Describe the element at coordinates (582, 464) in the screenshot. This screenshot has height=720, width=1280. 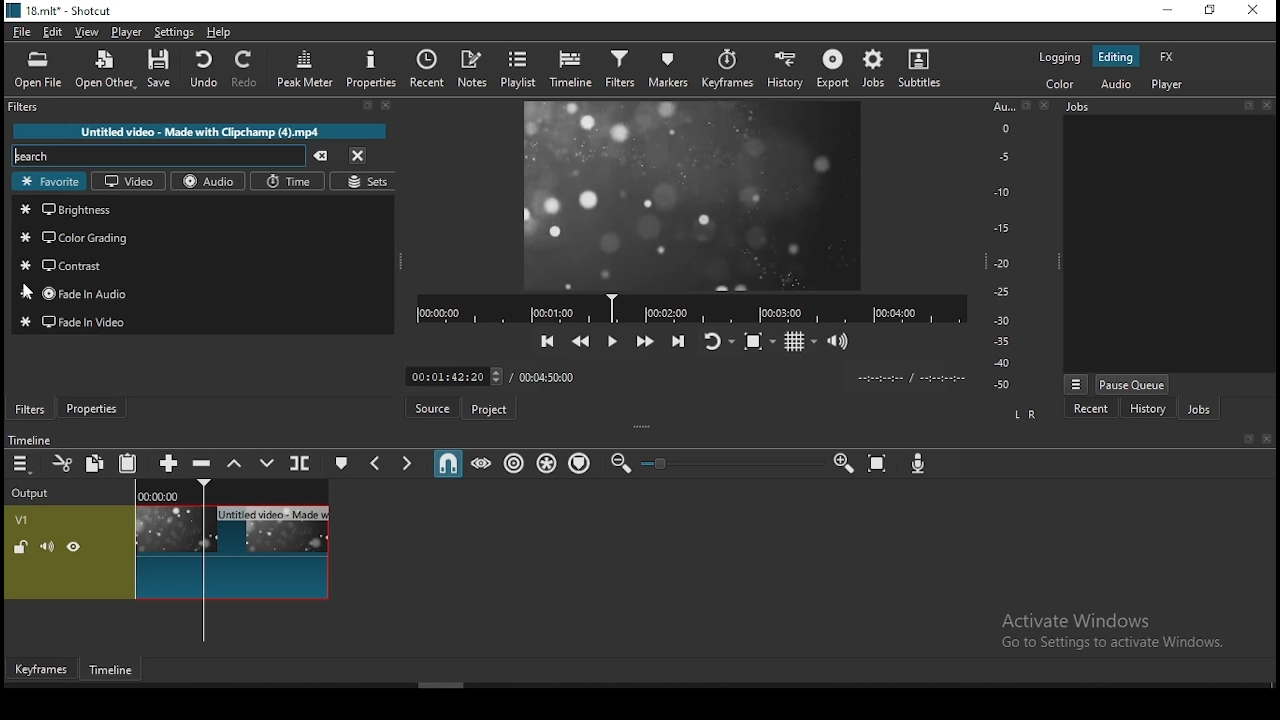
I see `ripple markers` at that location.